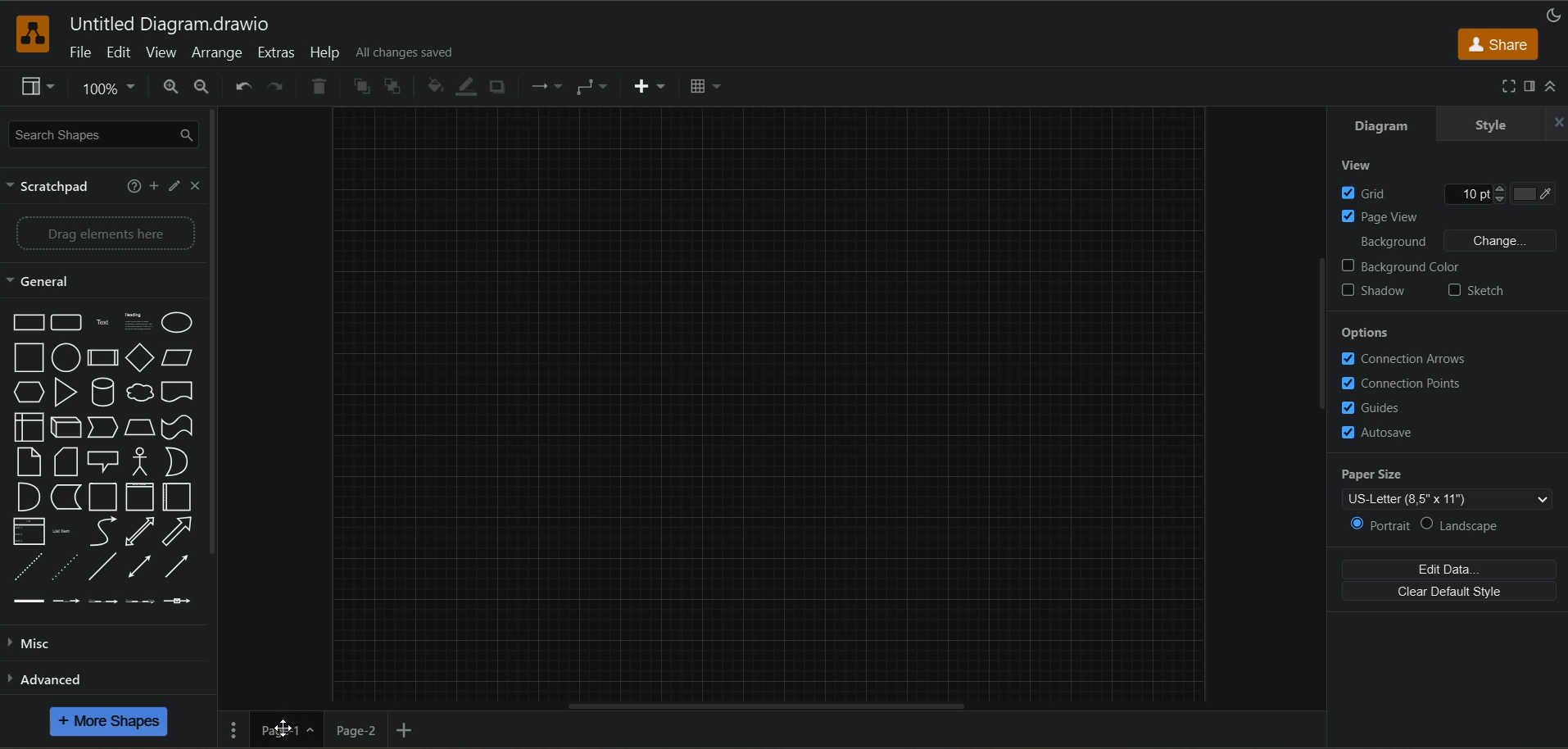  Describe the element at coordinates (1532, 87) in the screenshot. I see `format` at that location.